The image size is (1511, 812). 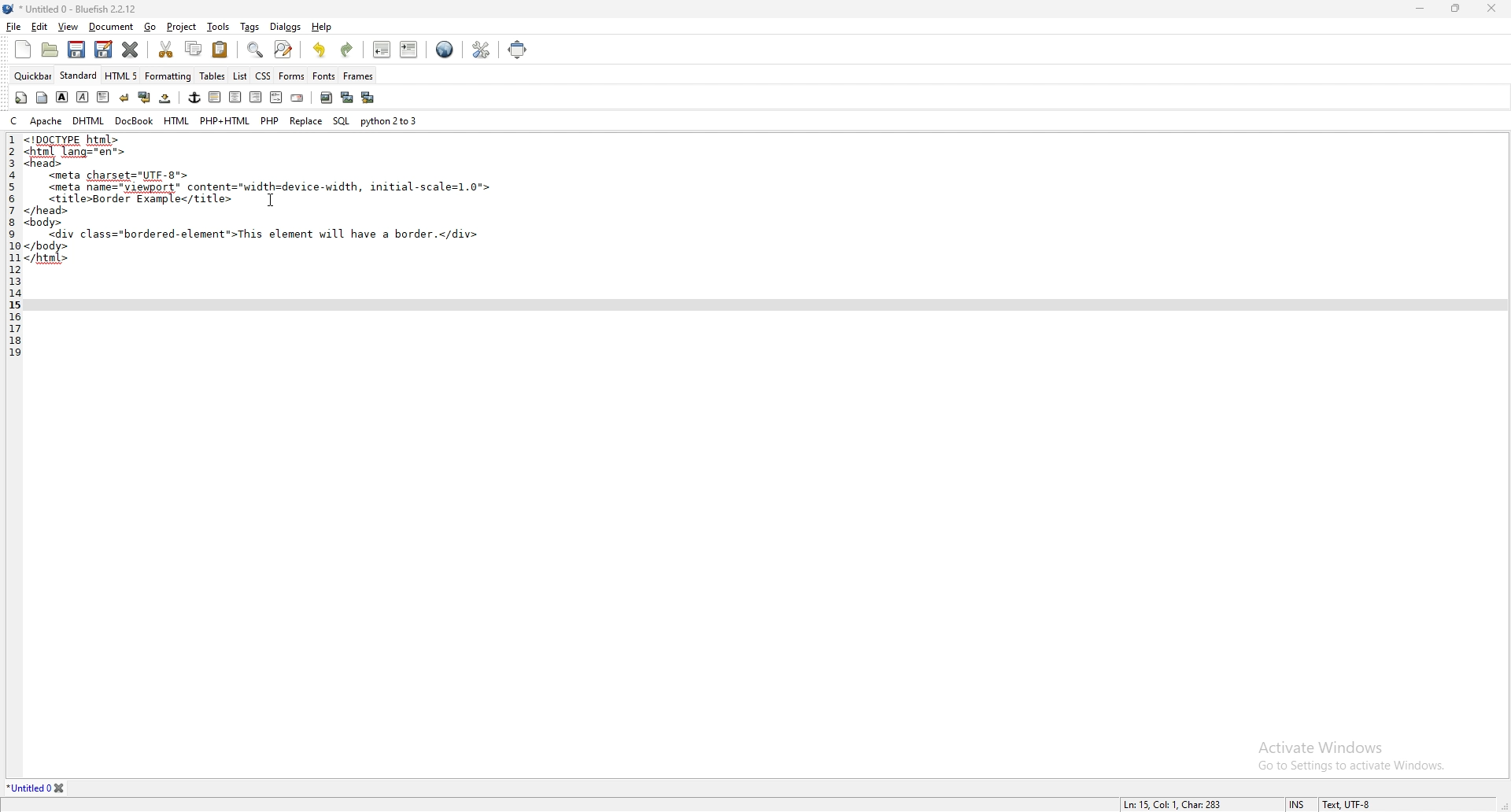 What do you see at coordinates (236, 97) in the screenshot?
I see `center justify` at bounding box center [236, 97].